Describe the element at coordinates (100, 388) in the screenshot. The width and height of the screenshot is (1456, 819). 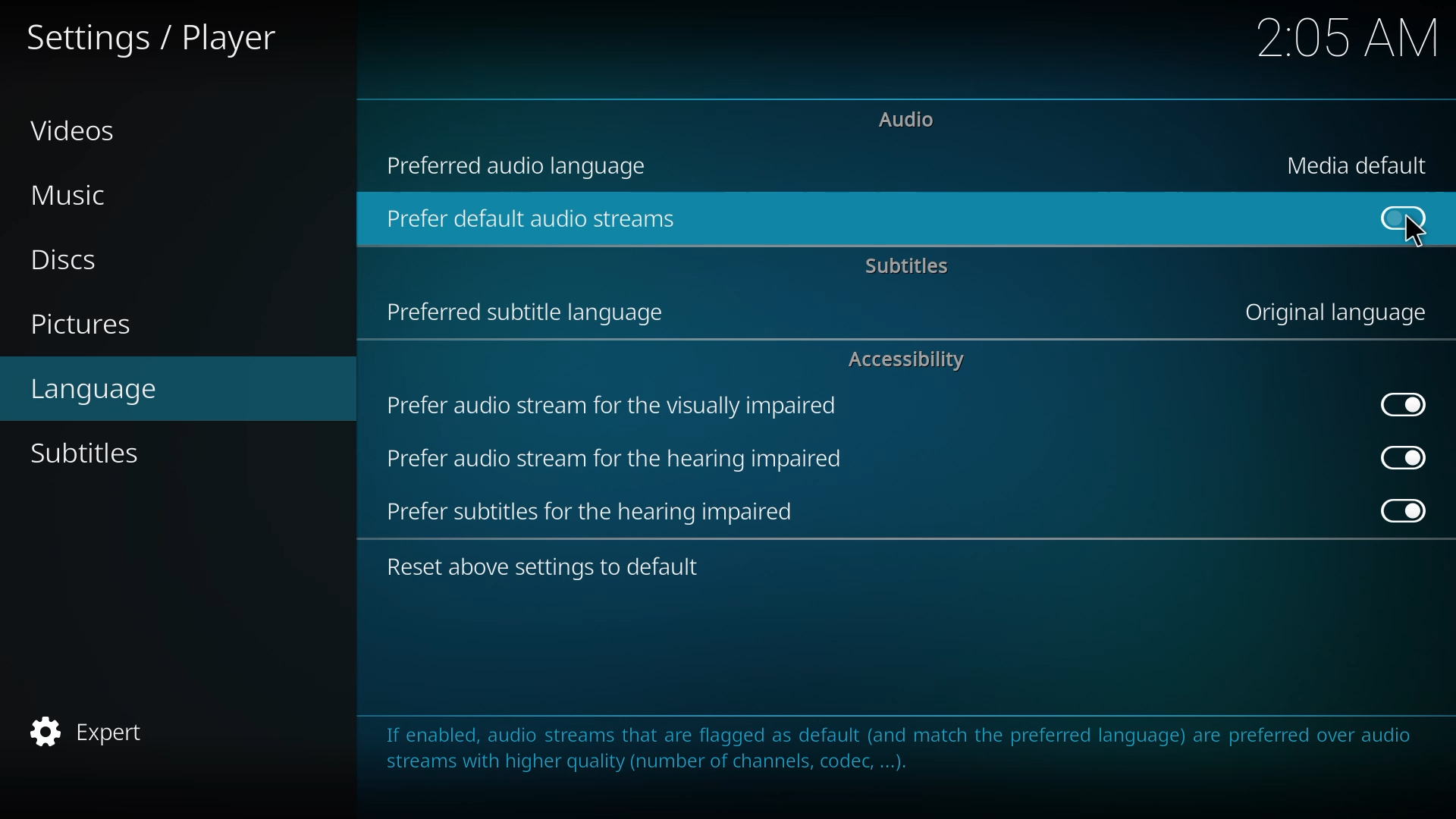
I see `language` at that location.